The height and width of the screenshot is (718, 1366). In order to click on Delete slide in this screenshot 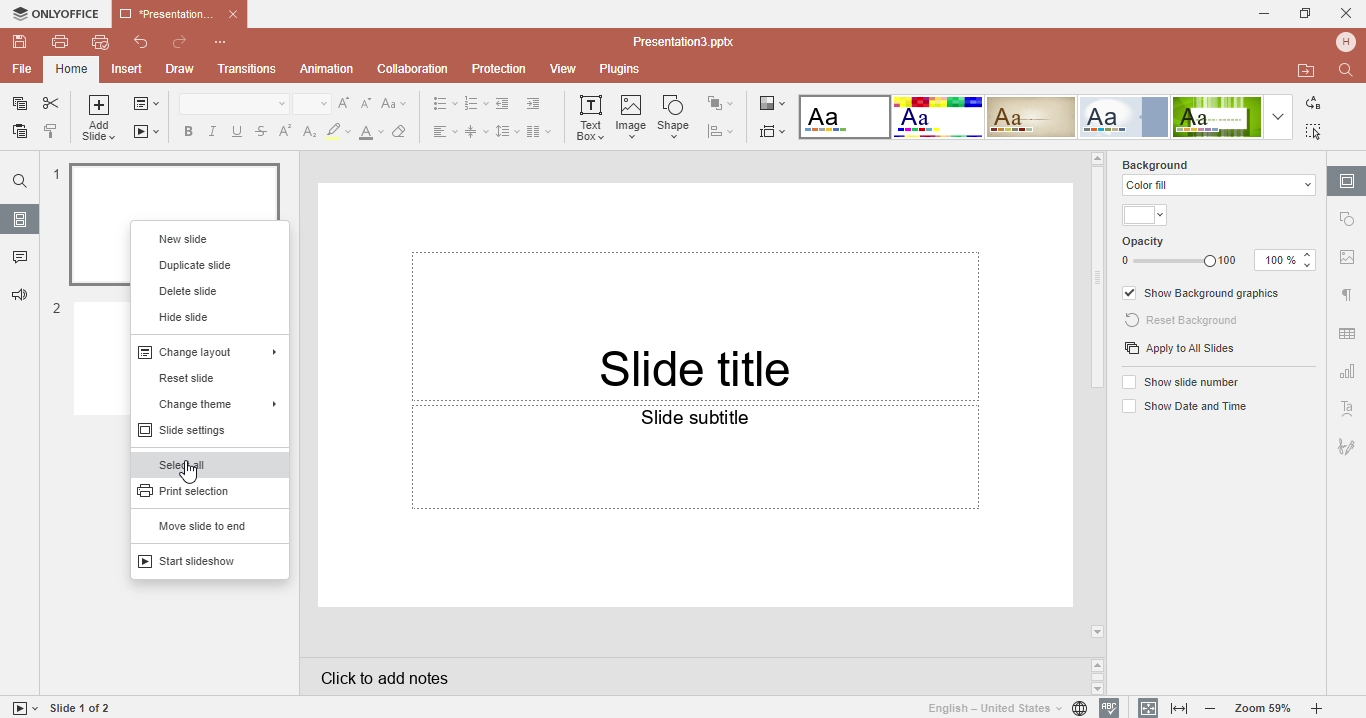, I will do `click(191, 290)`.